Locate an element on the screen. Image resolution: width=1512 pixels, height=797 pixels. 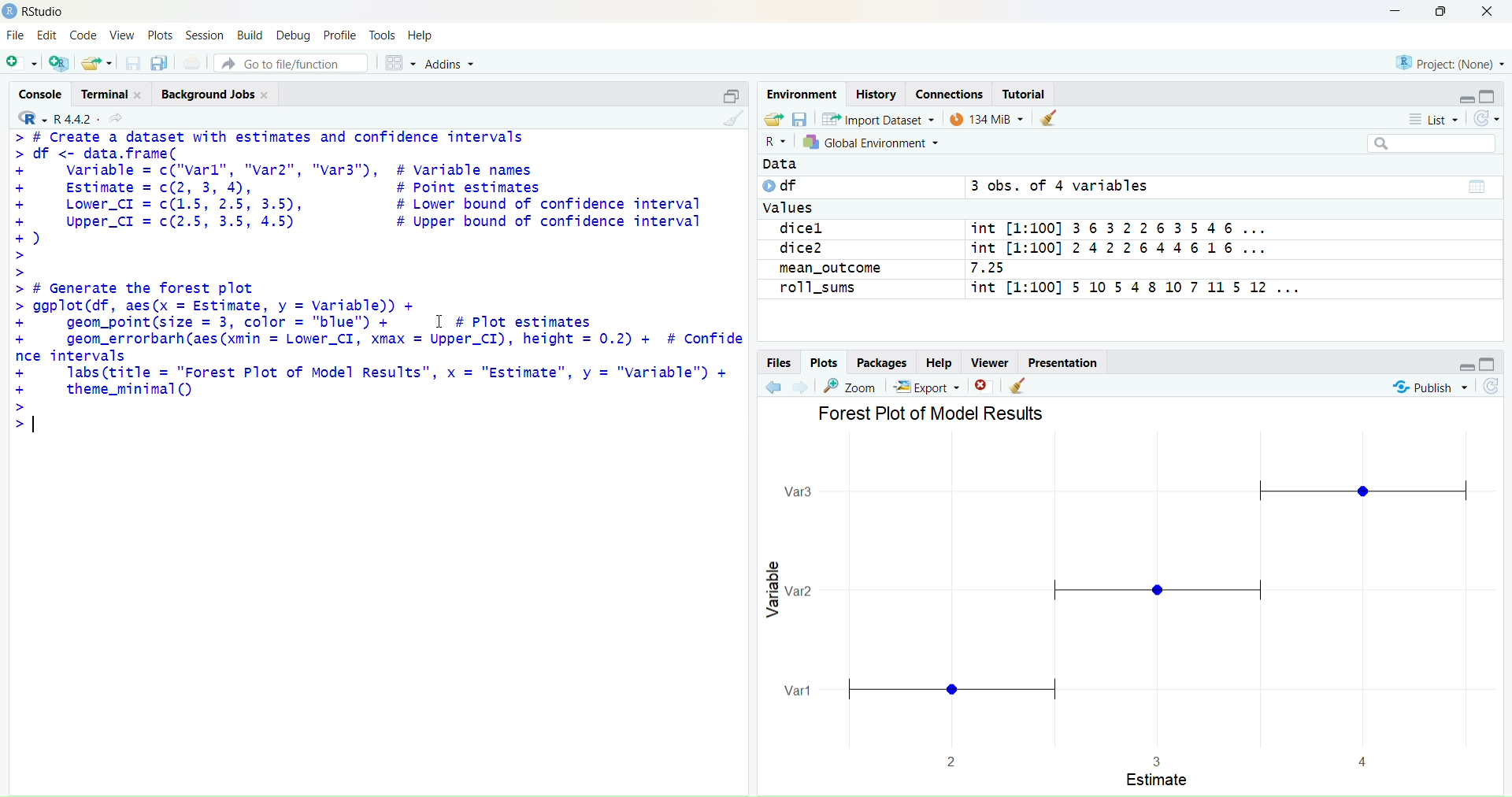
mean_outcome 7.25 is located at coordinates (889, 269).